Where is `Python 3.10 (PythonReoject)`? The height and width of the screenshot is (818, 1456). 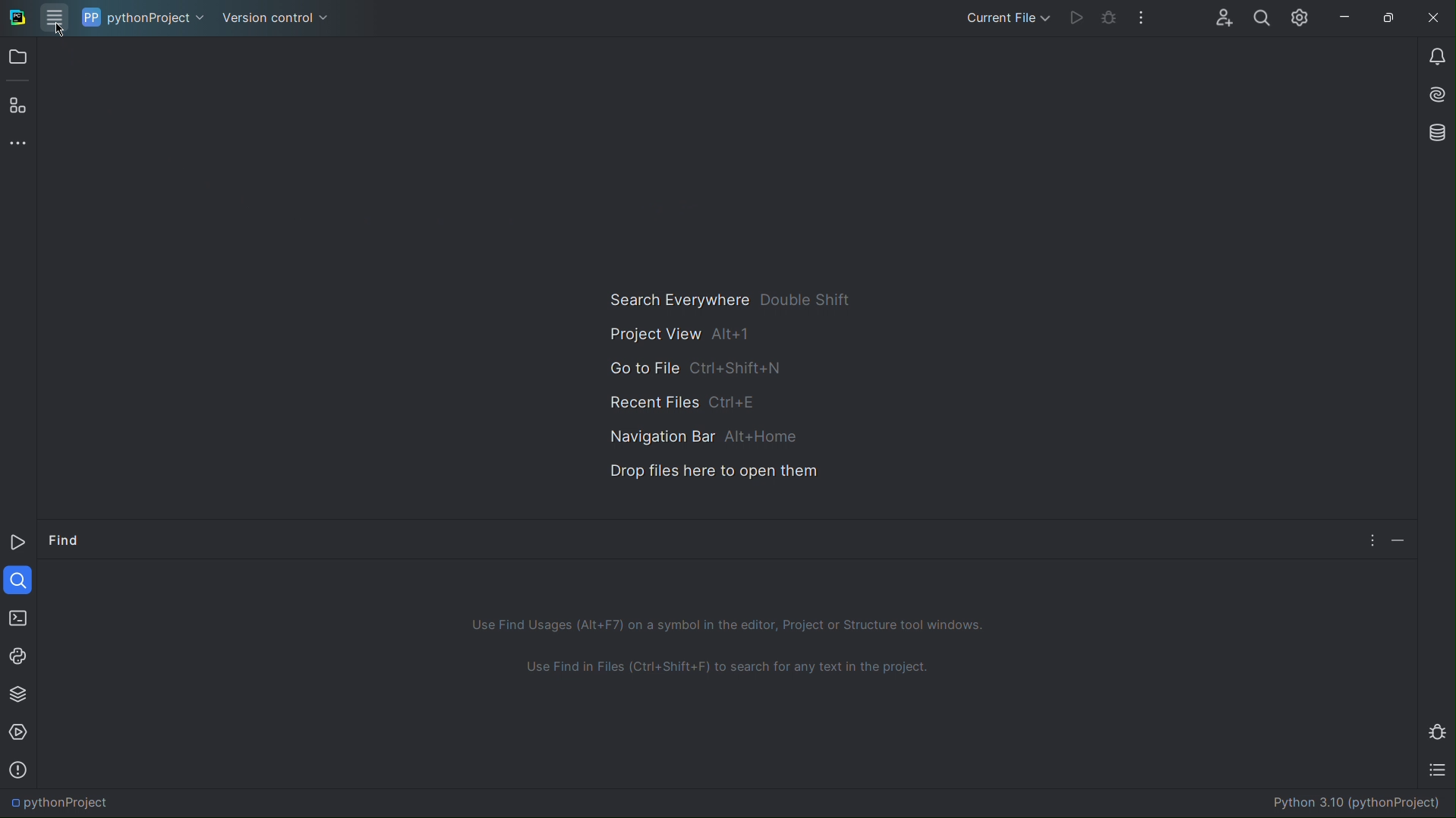
Python 3.10 (PythonReoject) is located at coordinates (1354, 802).